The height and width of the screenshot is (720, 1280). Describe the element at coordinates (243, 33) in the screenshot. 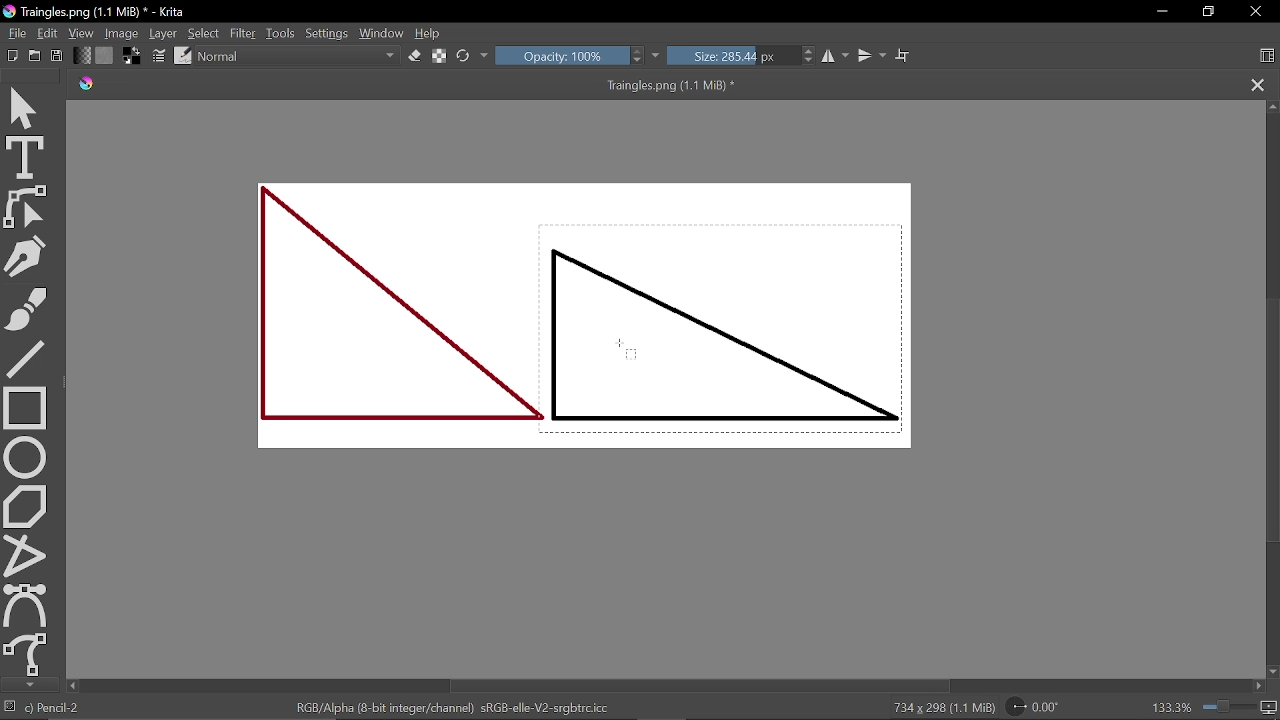

I see `Filter` at that location.